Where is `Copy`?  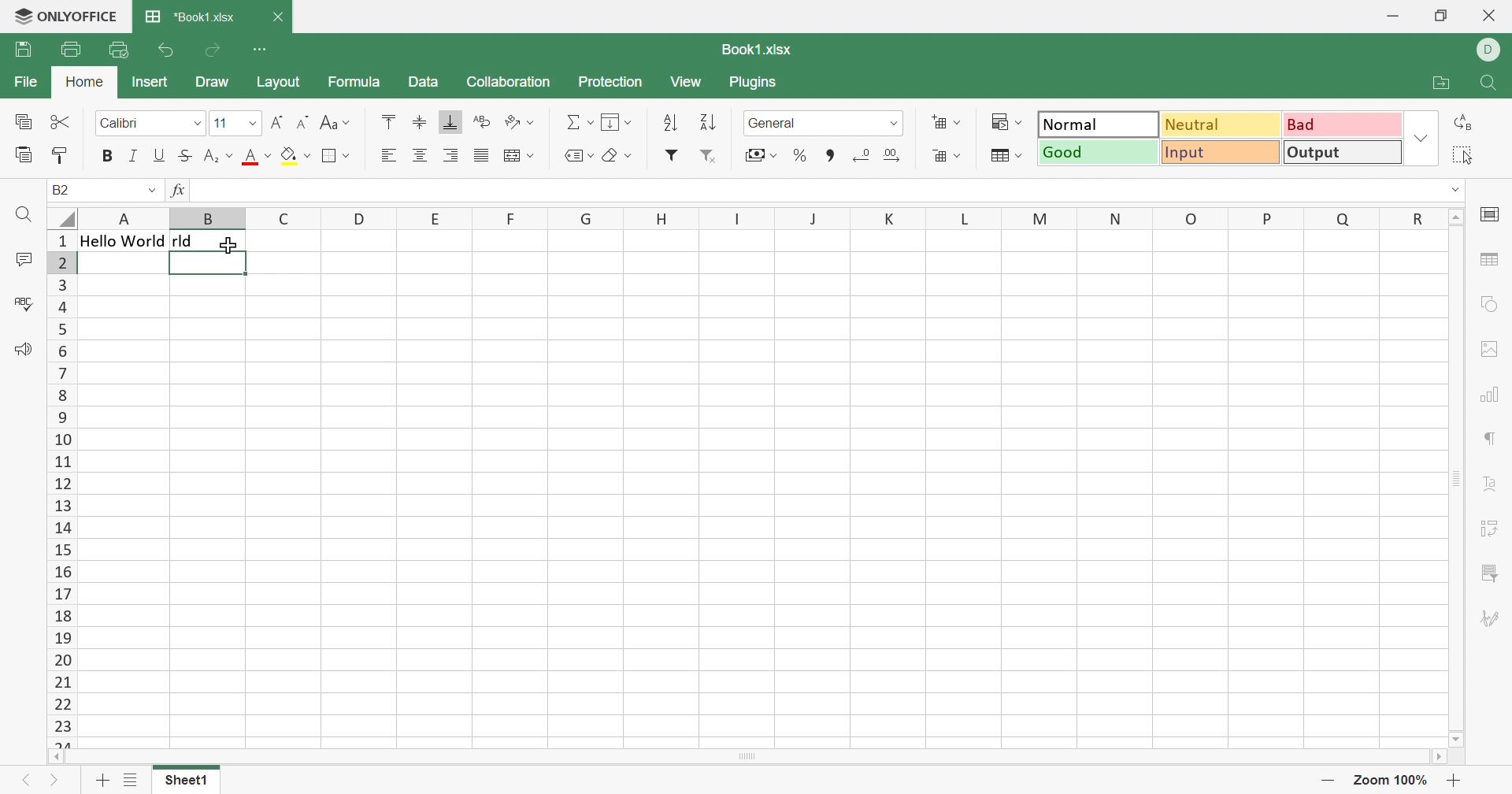
Copy is located at coordinates (26, 121).